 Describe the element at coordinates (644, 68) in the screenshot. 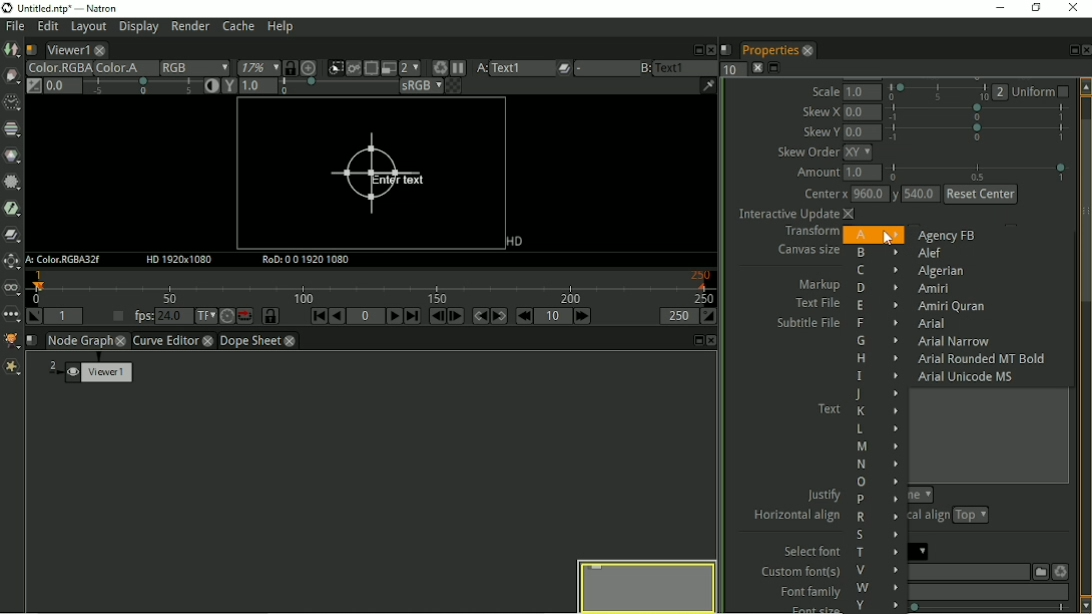

I see `B` at that location.